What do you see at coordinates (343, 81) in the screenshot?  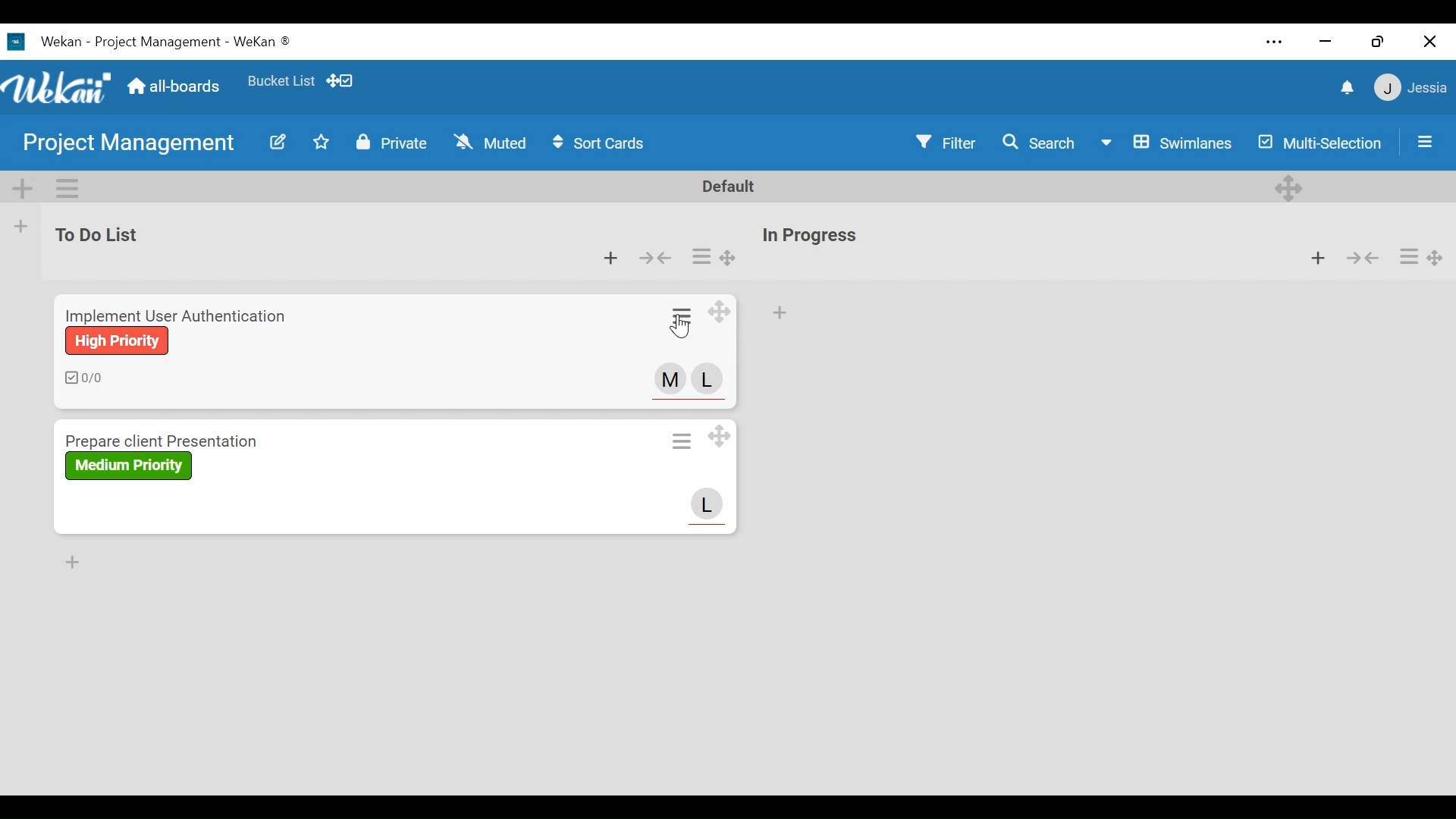 I see `Show desktop drag handles` at bounding box center [343, 81].